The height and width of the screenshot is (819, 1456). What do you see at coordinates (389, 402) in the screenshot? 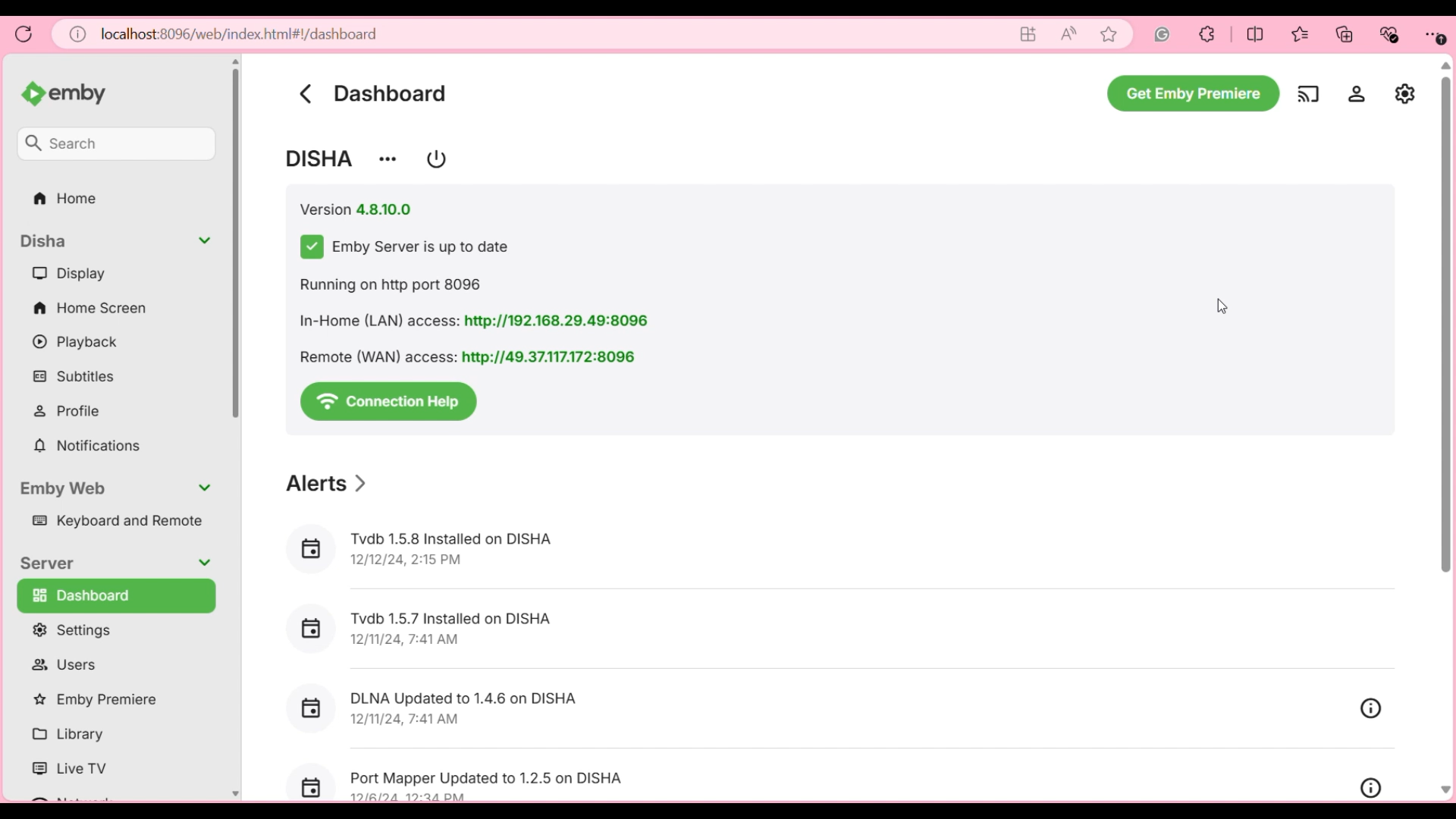
I see `Connection help` at bounding box center [389, 402].